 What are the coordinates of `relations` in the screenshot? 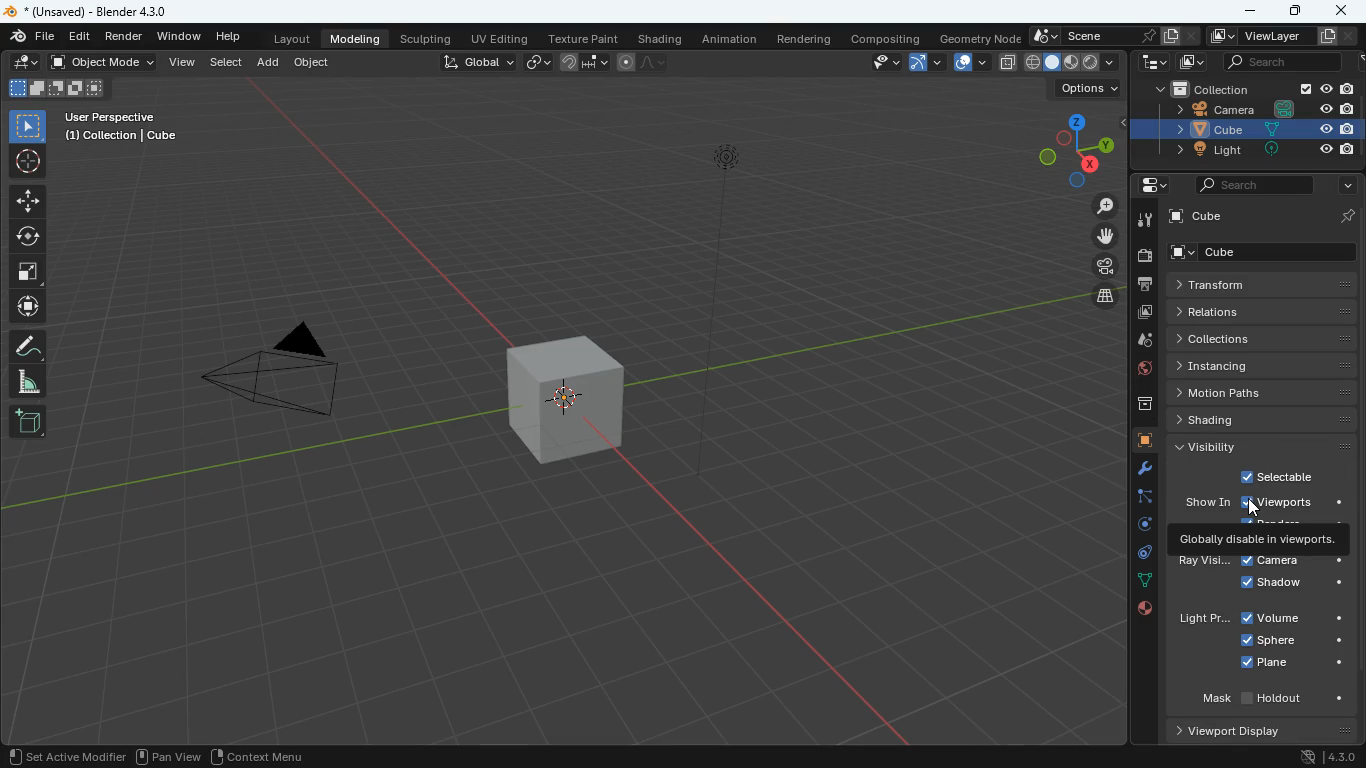 It's located at (1268, 312).